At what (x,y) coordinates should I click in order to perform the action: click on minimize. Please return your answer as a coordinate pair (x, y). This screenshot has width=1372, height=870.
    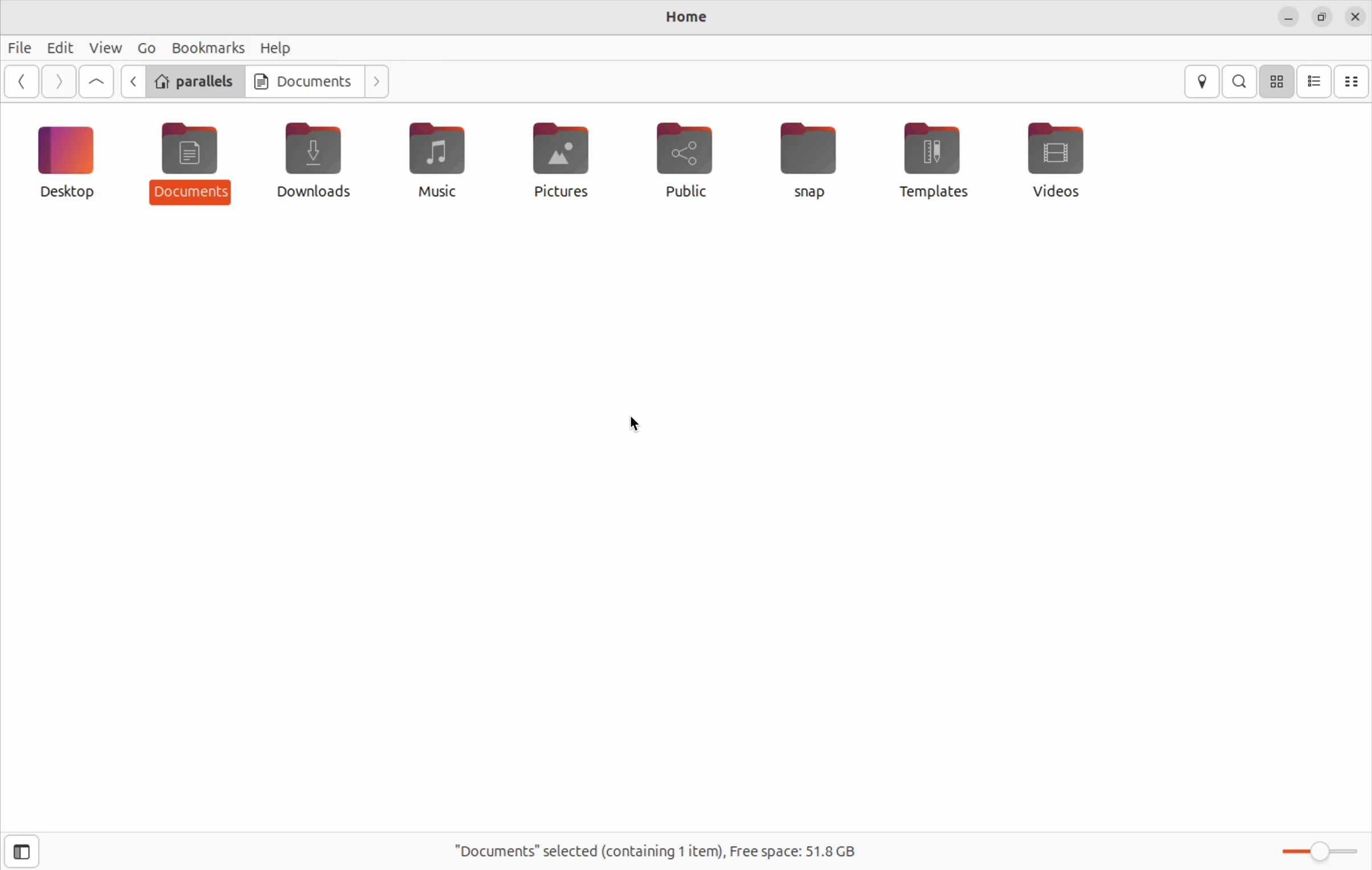
    Looking at the image, I should click on (1288, 18).